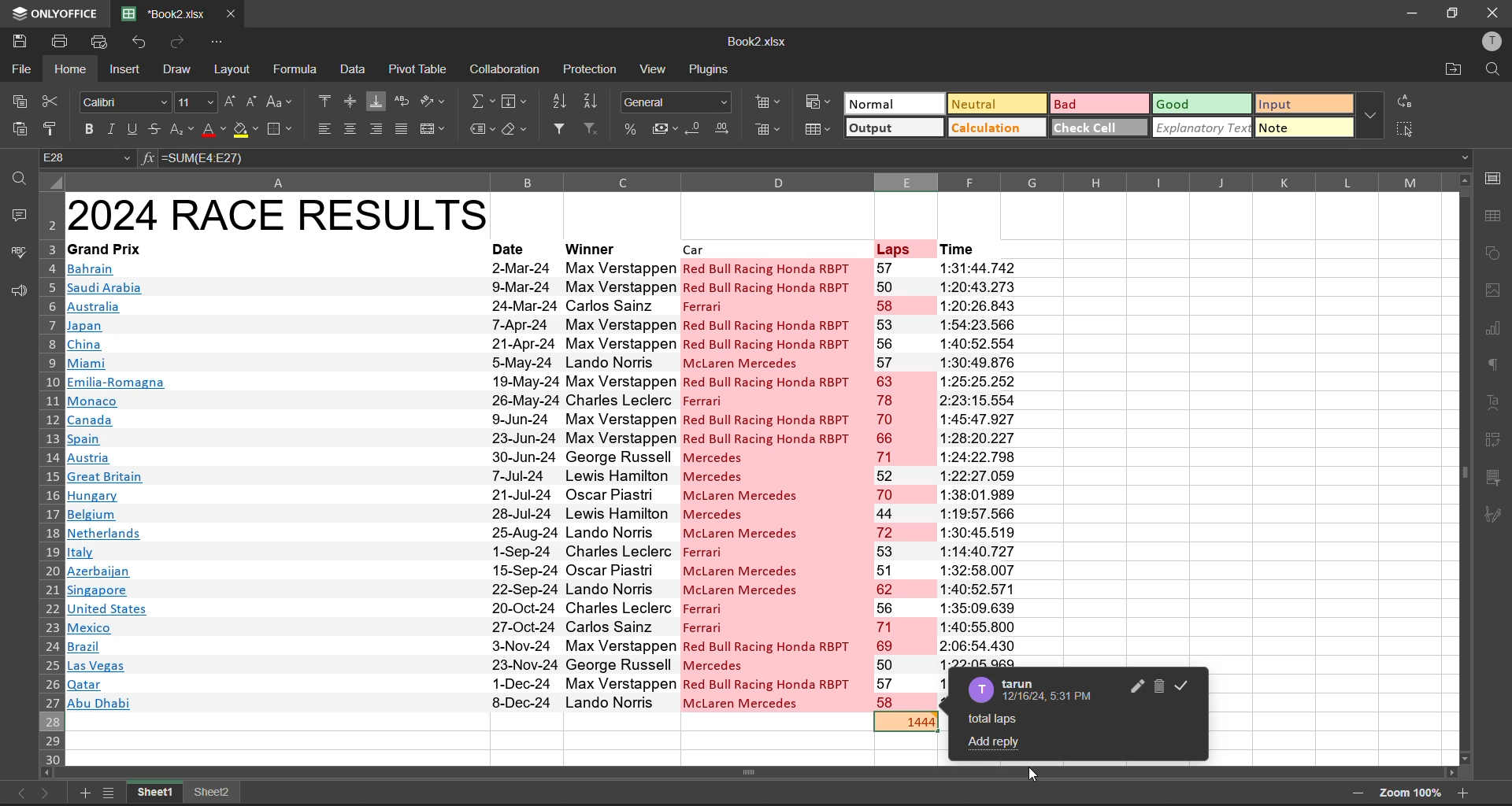 The width and height of the screenshot is (1512, 806). What do you see at coordinates (406, 100) in the screenshot?
I see `wrap text` at bounding box center [406, 100].